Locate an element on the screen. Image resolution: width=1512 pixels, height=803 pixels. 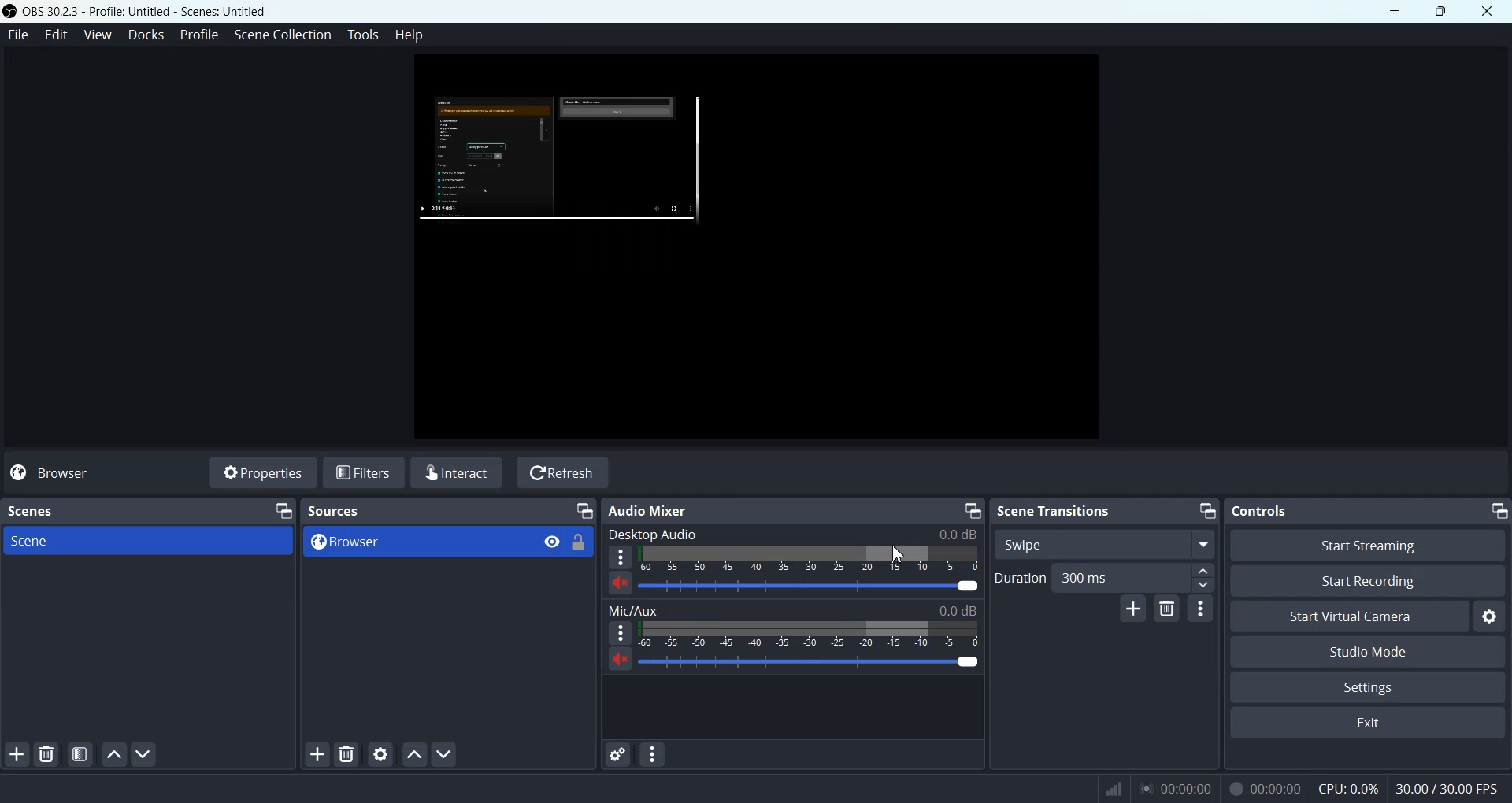
Start Recording is located at coordinates (1366, 582).